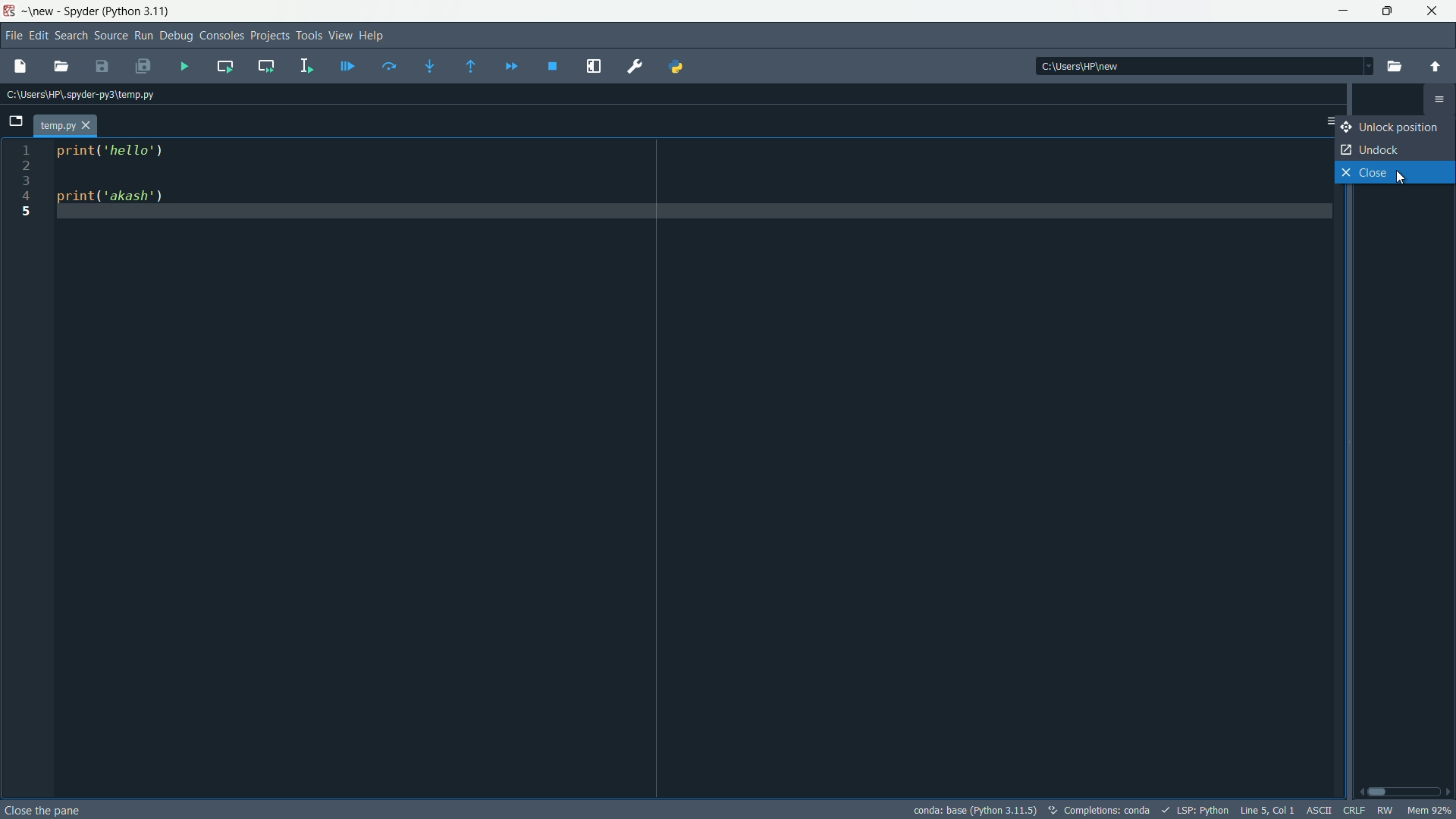  I want to click on minimize app, so click(1342, 11).